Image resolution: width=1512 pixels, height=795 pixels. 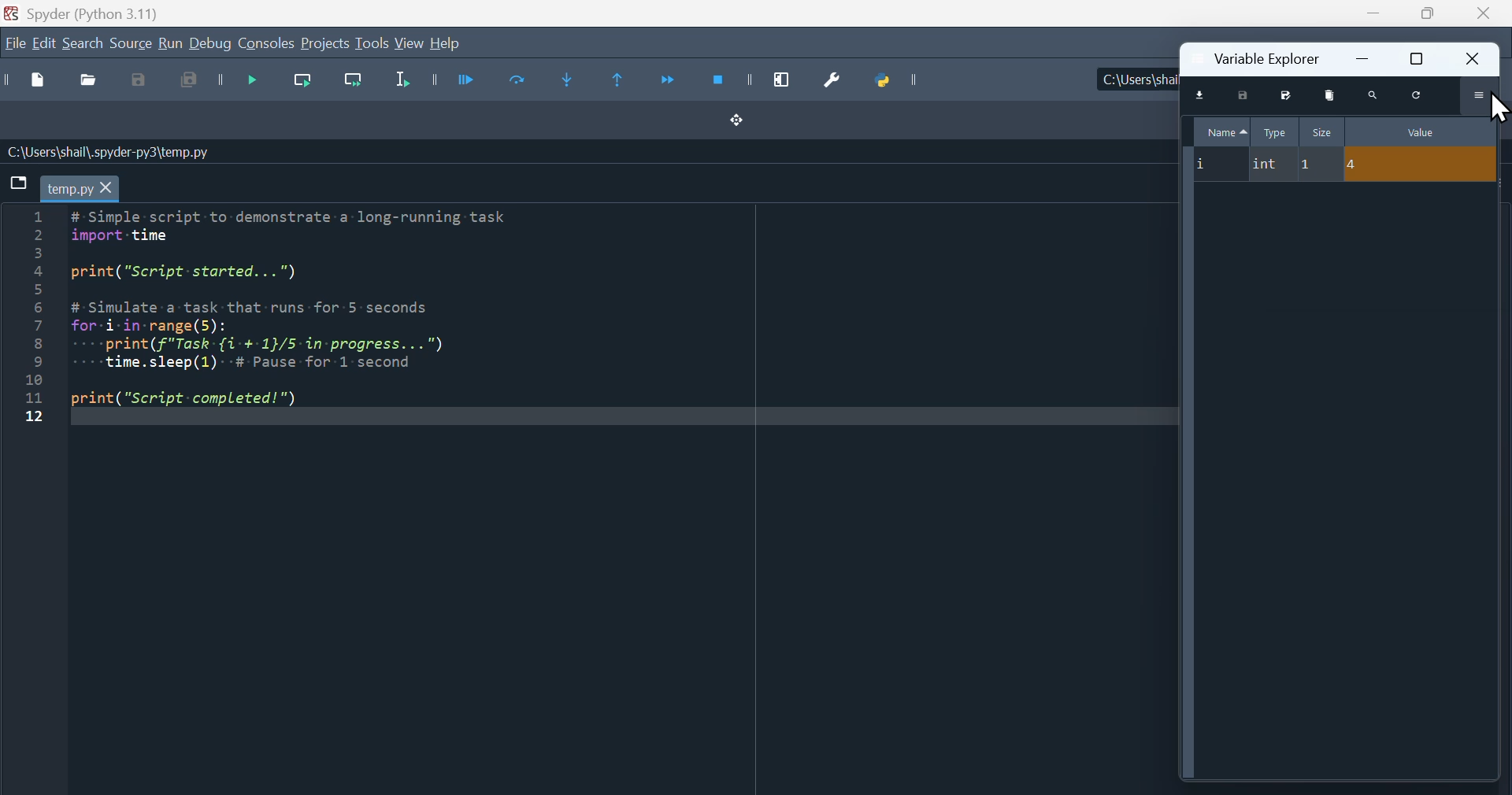 What do you see at coordinates (1284, 94) in the screenshot?
I see `save data as` at bounding box center [1284, 94].